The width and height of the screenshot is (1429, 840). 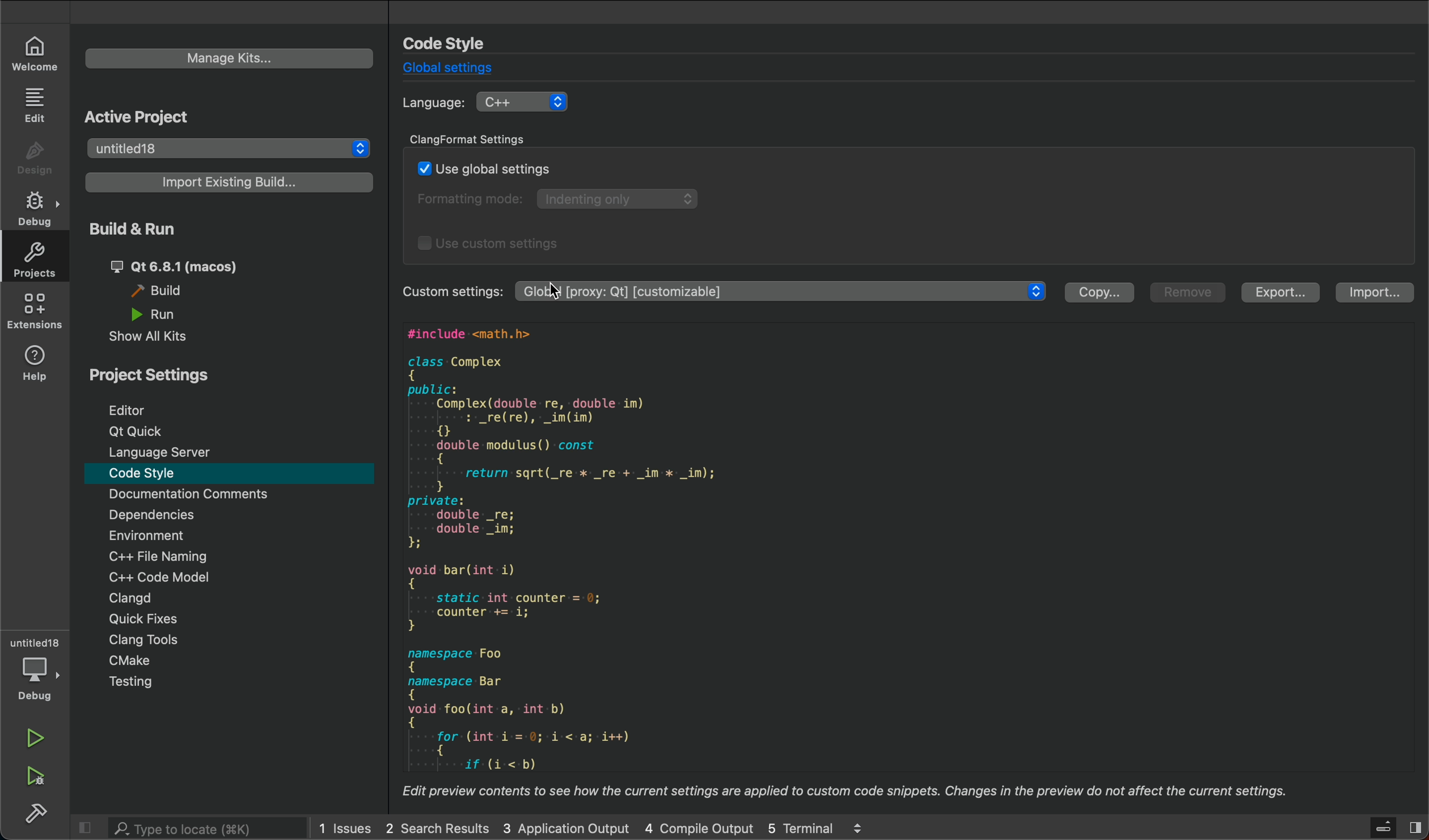 What do you see at coordinates (37, 777) in the screenshot?
I see `run debug` at bounding box center [37, 777].